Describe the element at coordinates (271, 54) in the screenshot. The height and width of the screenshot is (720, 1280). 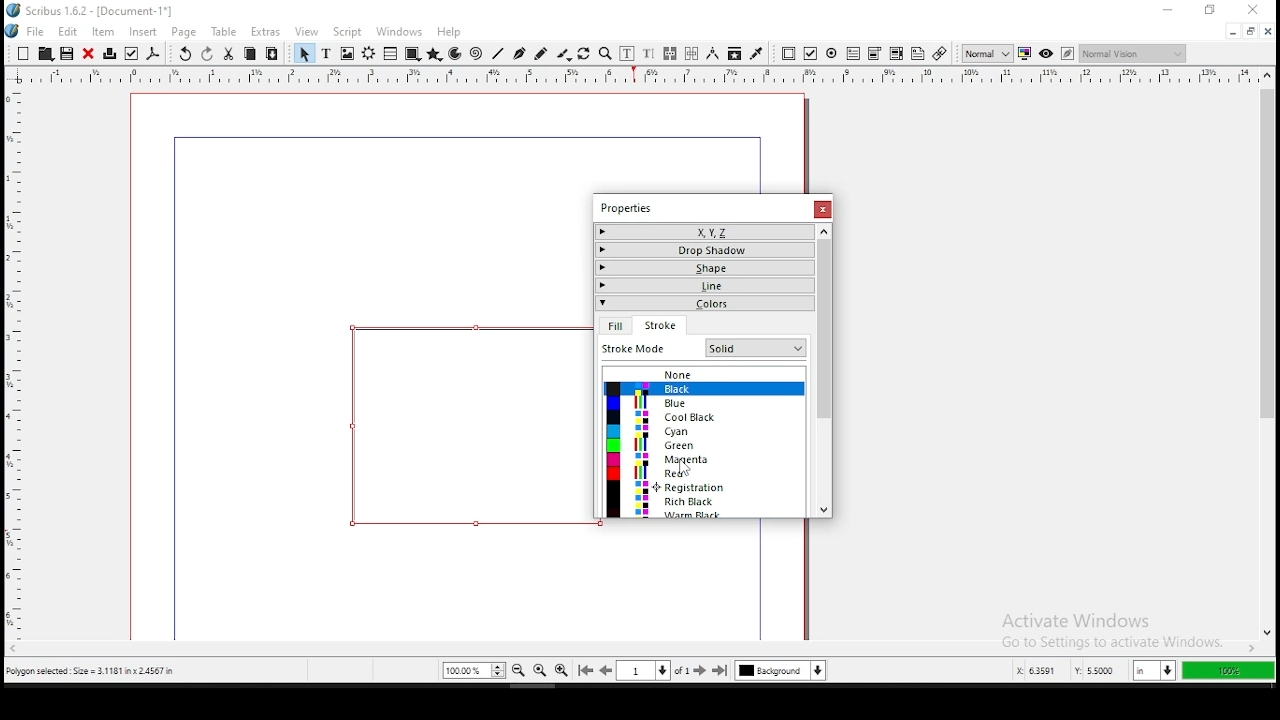
I see `paste` at that location.